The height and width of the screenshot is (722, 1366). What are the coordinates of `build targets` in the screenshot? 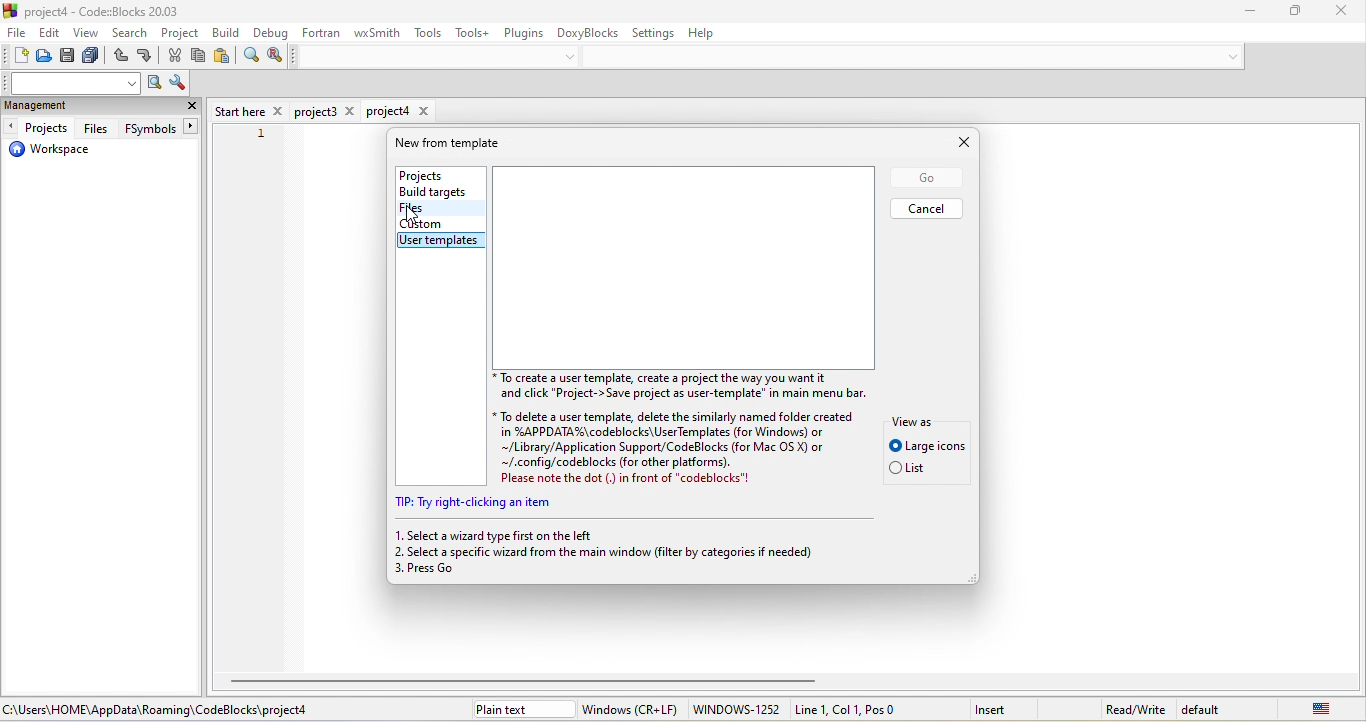 It's located at (438, 192).